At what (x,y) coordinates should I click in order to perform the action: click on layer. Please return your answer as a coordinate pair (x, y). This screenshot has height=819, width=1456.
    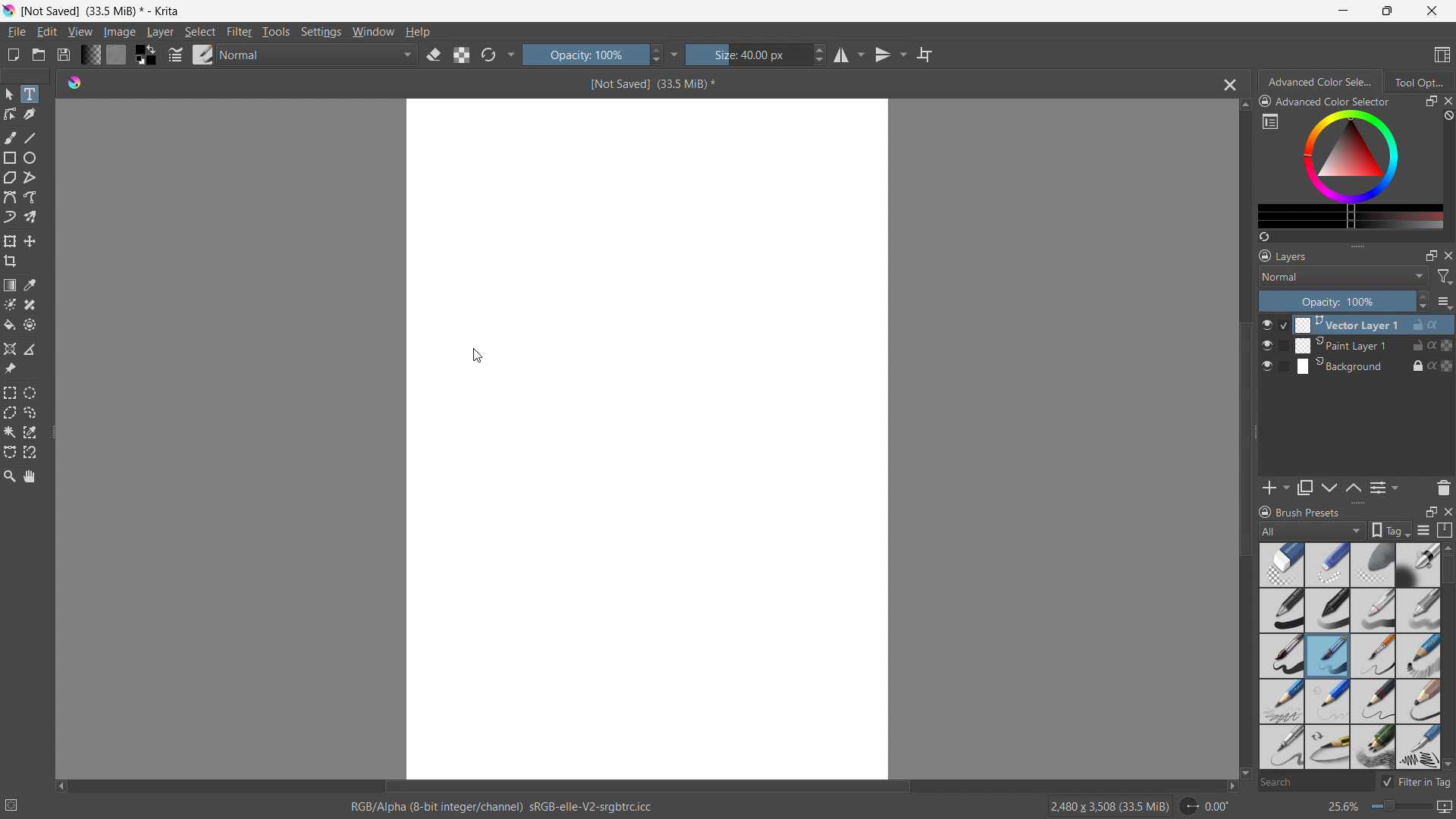
    Looking at the image, I should click on (160, 32).